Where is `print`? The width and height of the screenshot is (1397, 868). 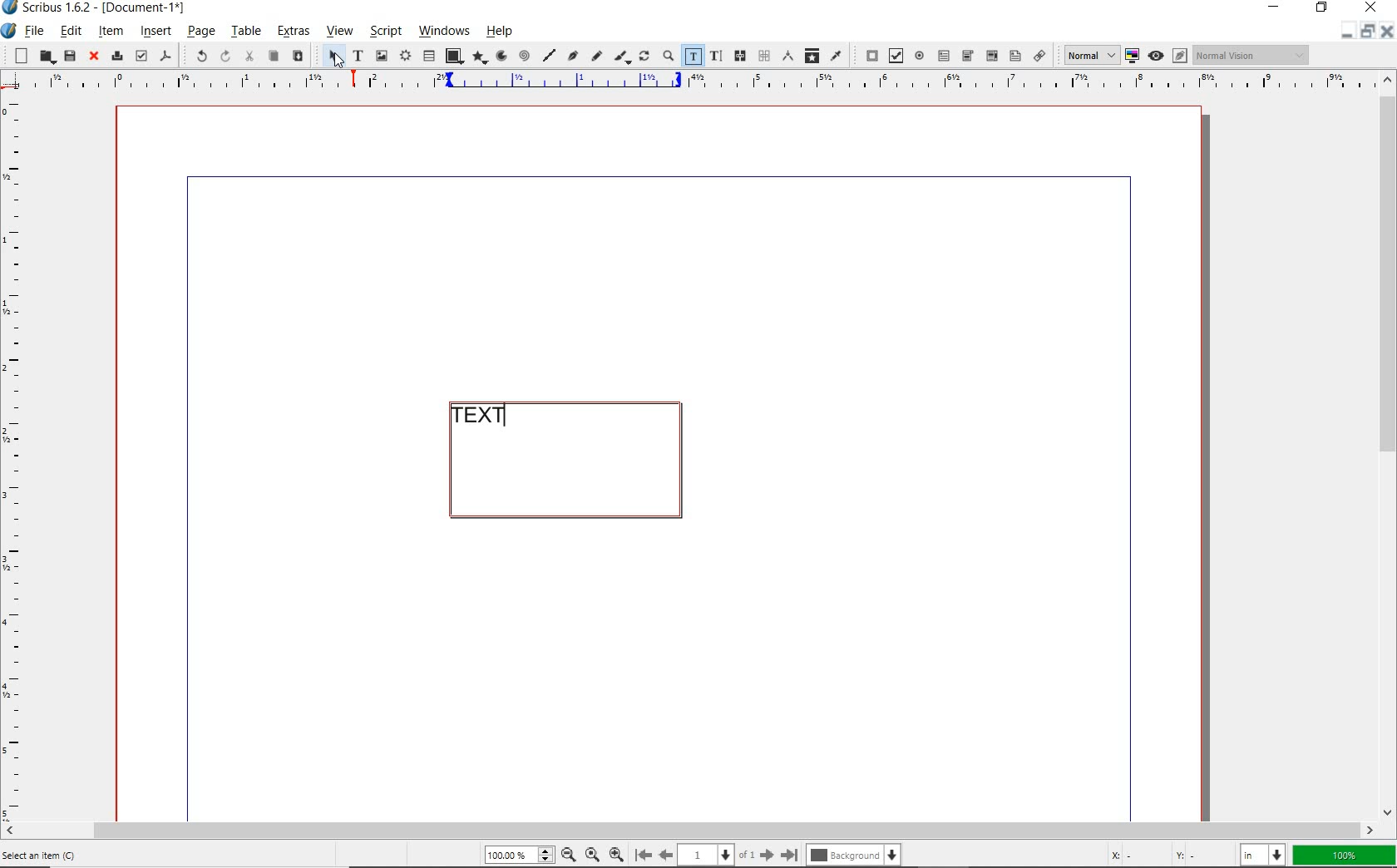 print is located at coordinates (116, 57).